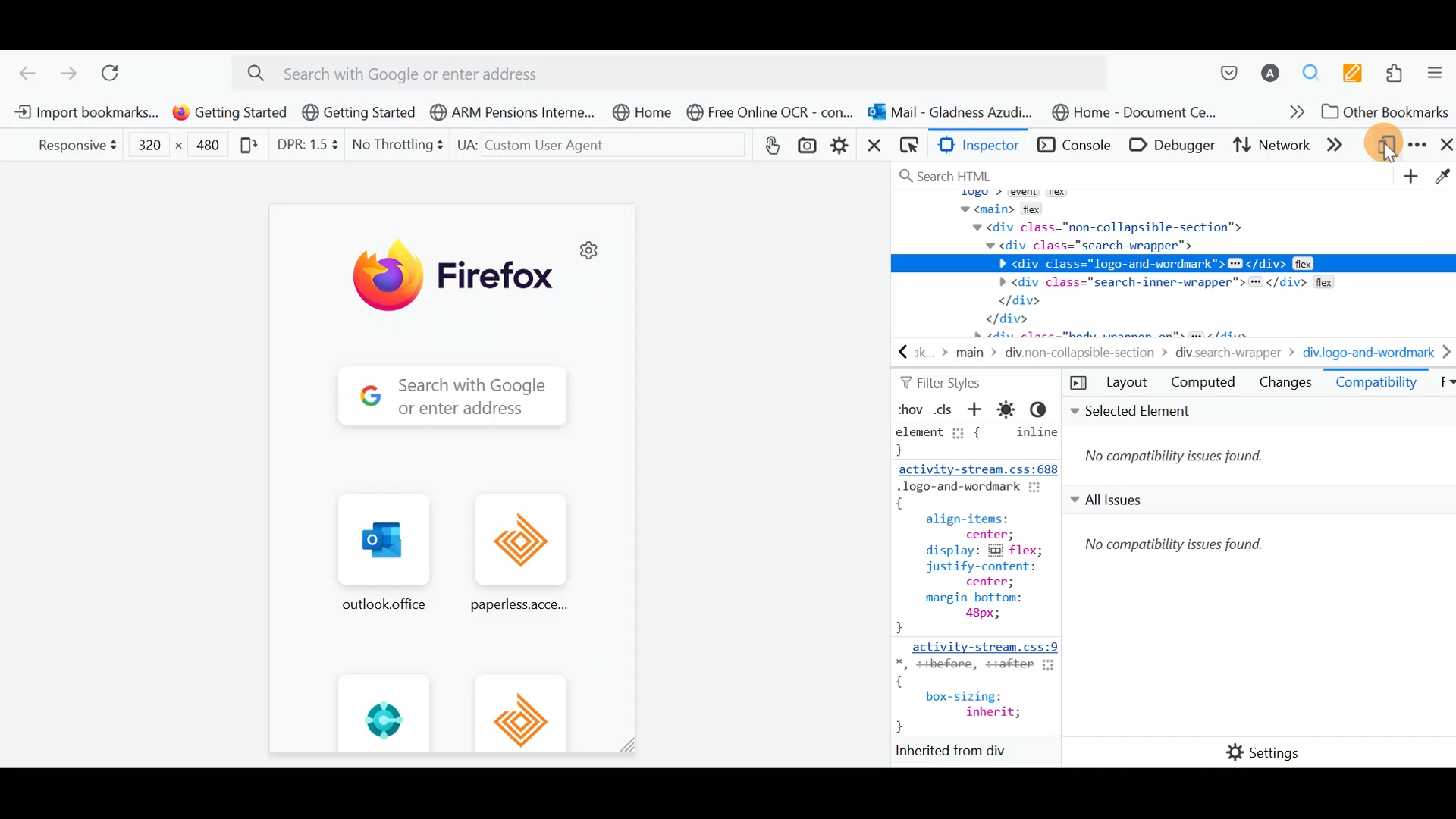 The image size is (1456, 819). I want to click on More tabs, so click(1343, 147).